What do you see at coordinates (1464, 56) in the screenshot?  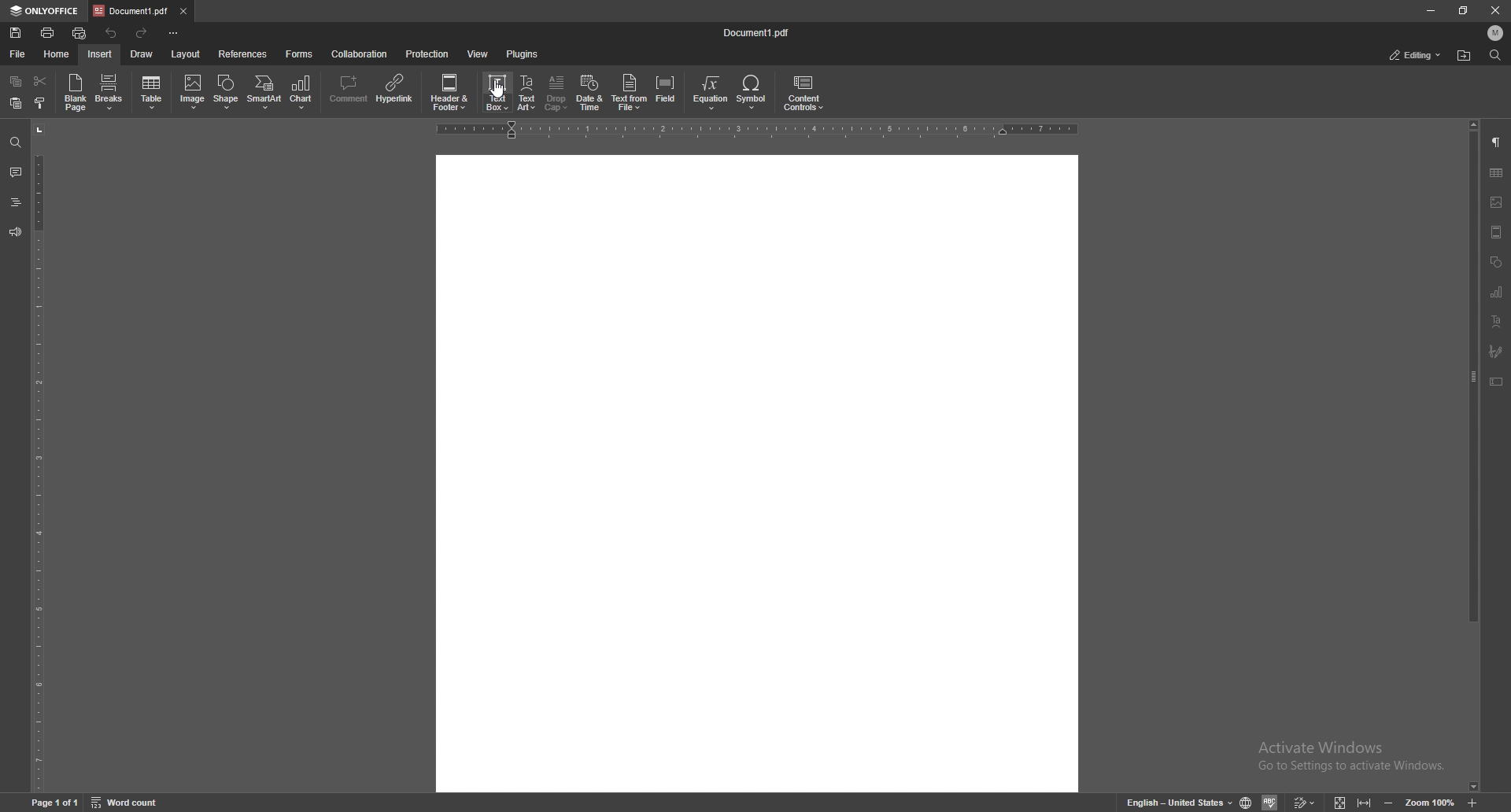 I see `find in folder` at bounding box center [1464, 56].